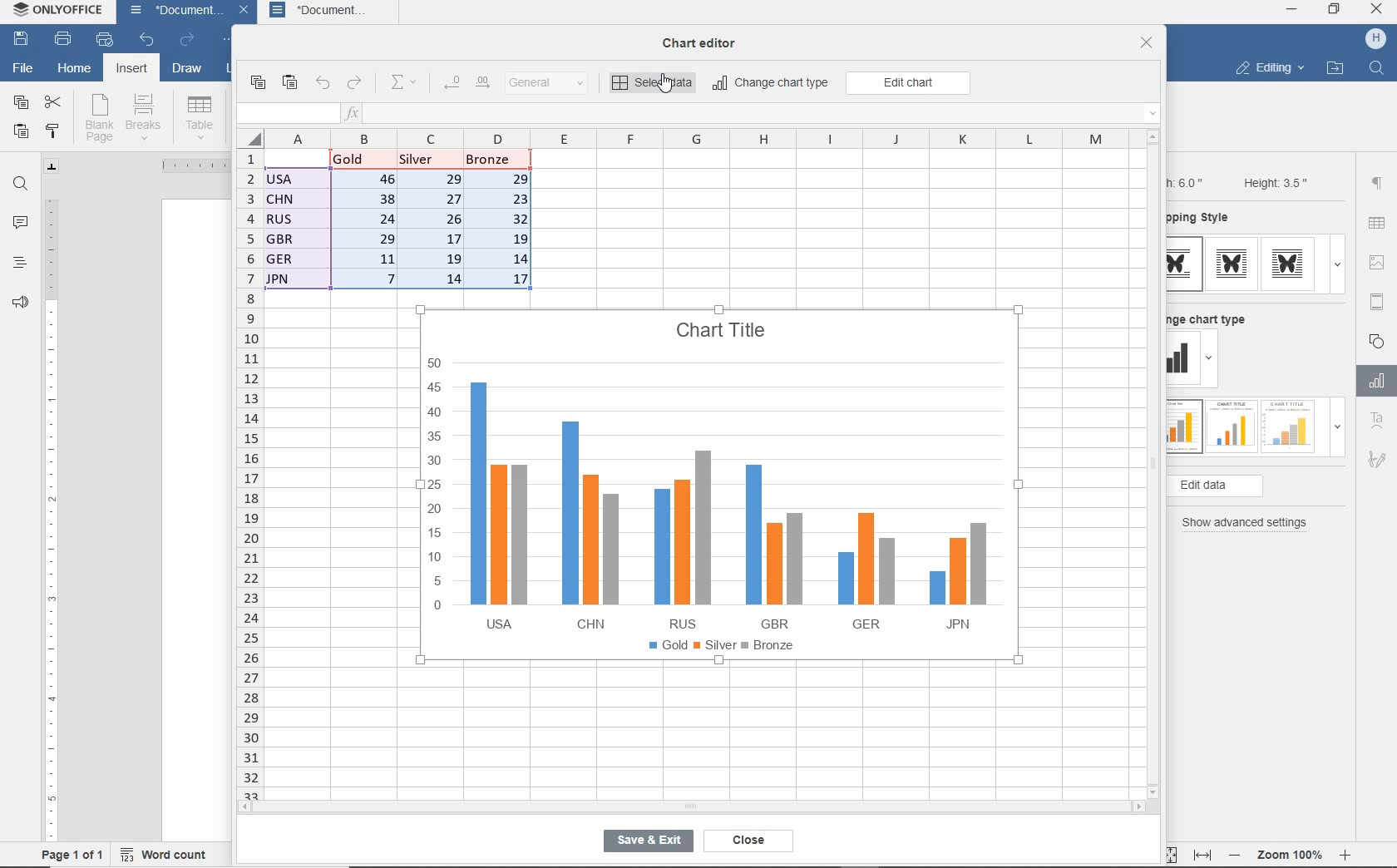  Describe the element at coordinates (684, 138) in the screenshot. I see `columns` at that location.